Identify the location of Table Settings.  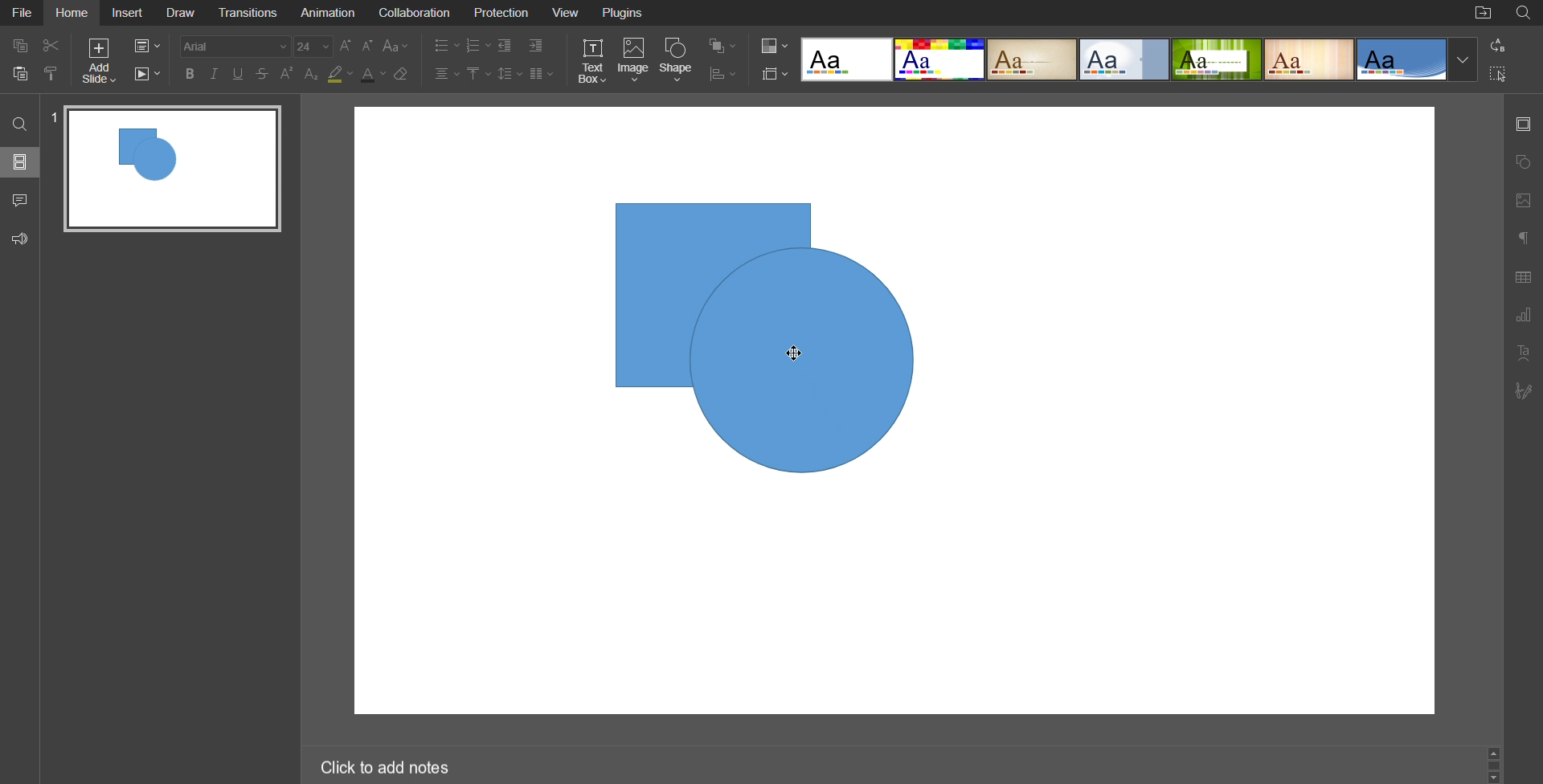
(1522, 278).